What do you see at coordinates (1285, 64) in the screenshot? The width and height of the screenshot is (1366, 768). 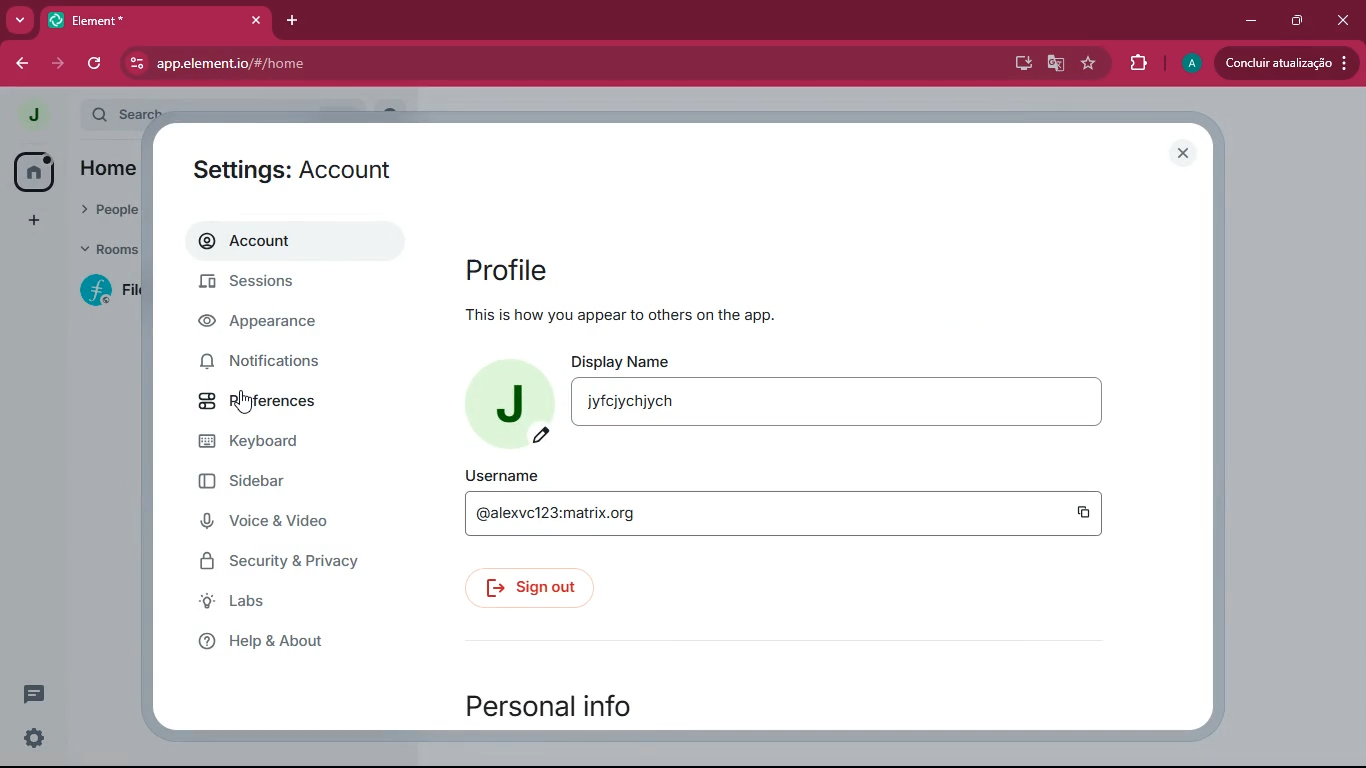 I see `updates` at bounding box center [1285, 64].